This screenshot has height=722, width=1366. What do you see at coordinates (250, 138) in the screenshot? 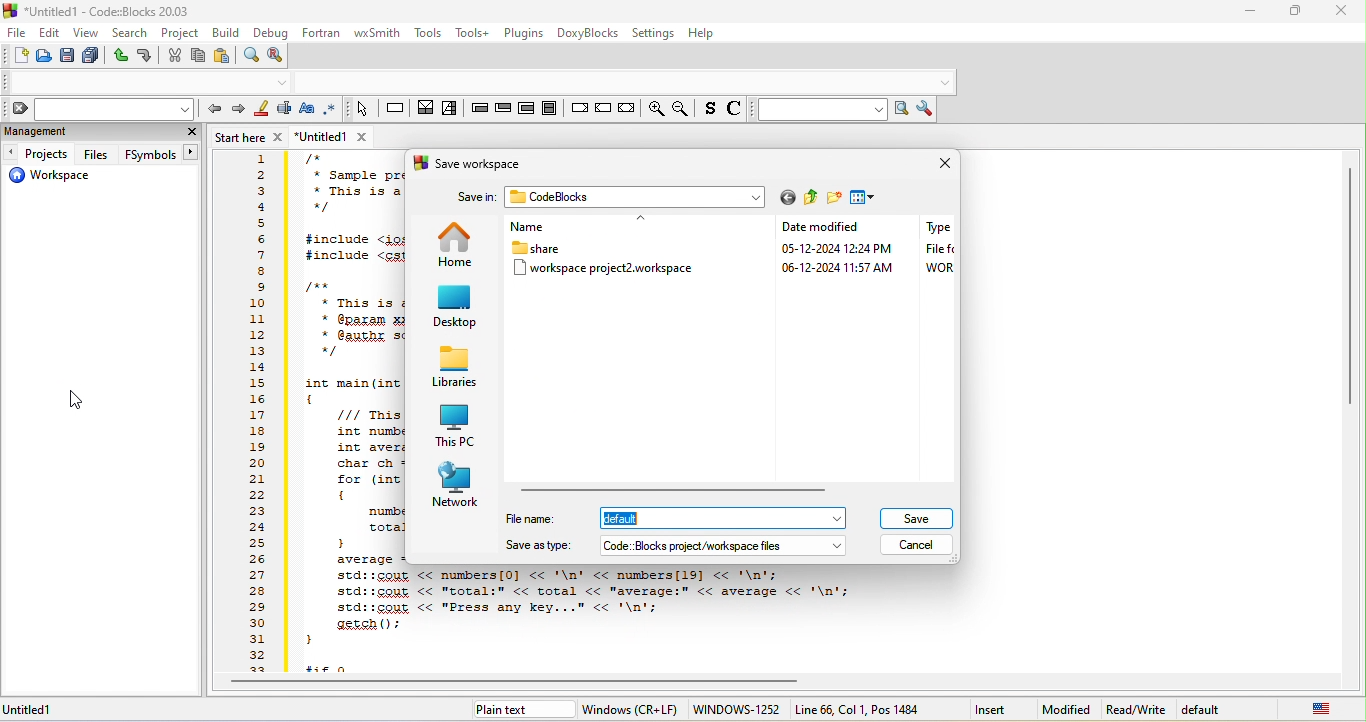
I see `start here` at bounding box center [250, 138].